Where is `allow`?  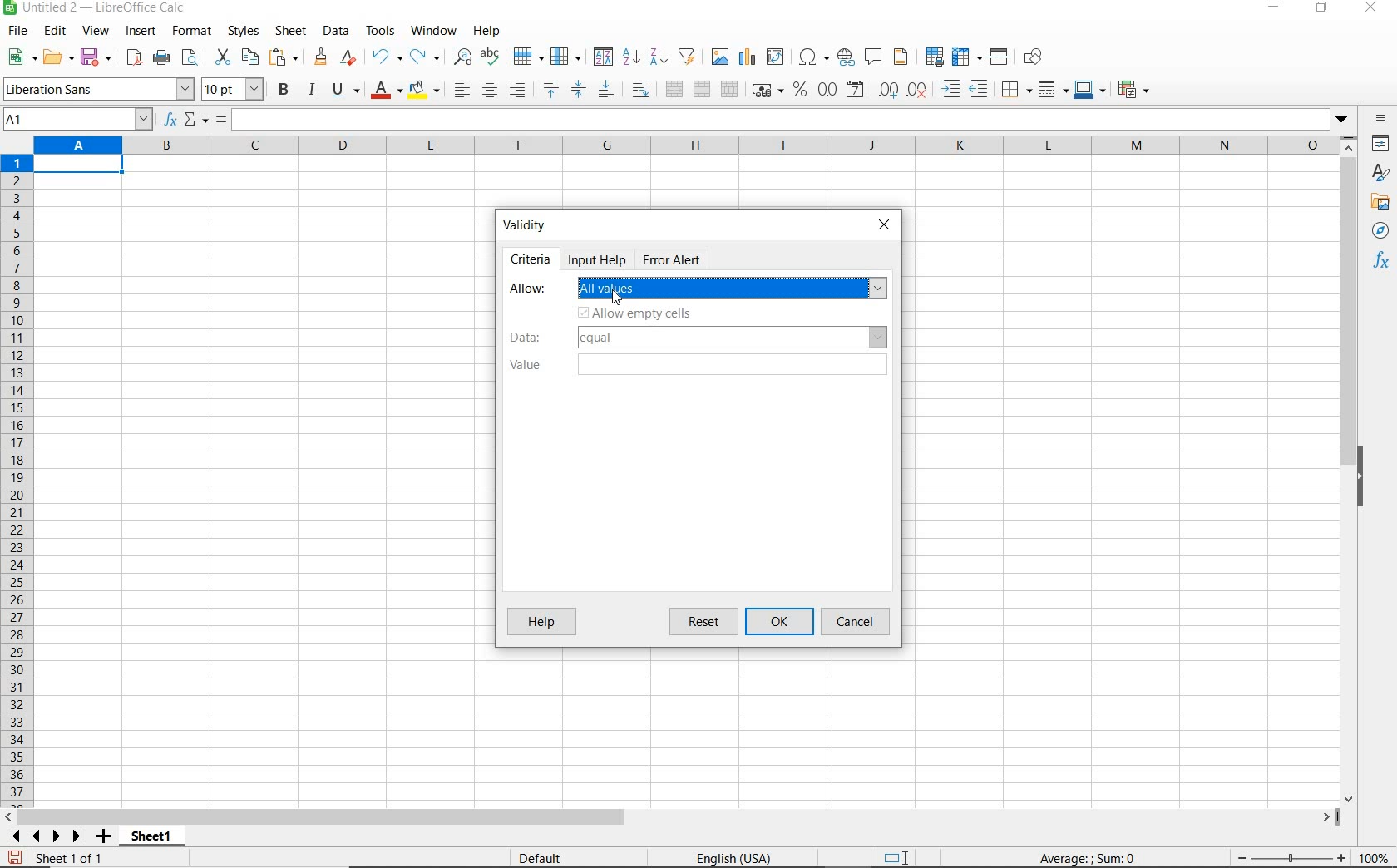 allow is located at coordinates (526, 289).